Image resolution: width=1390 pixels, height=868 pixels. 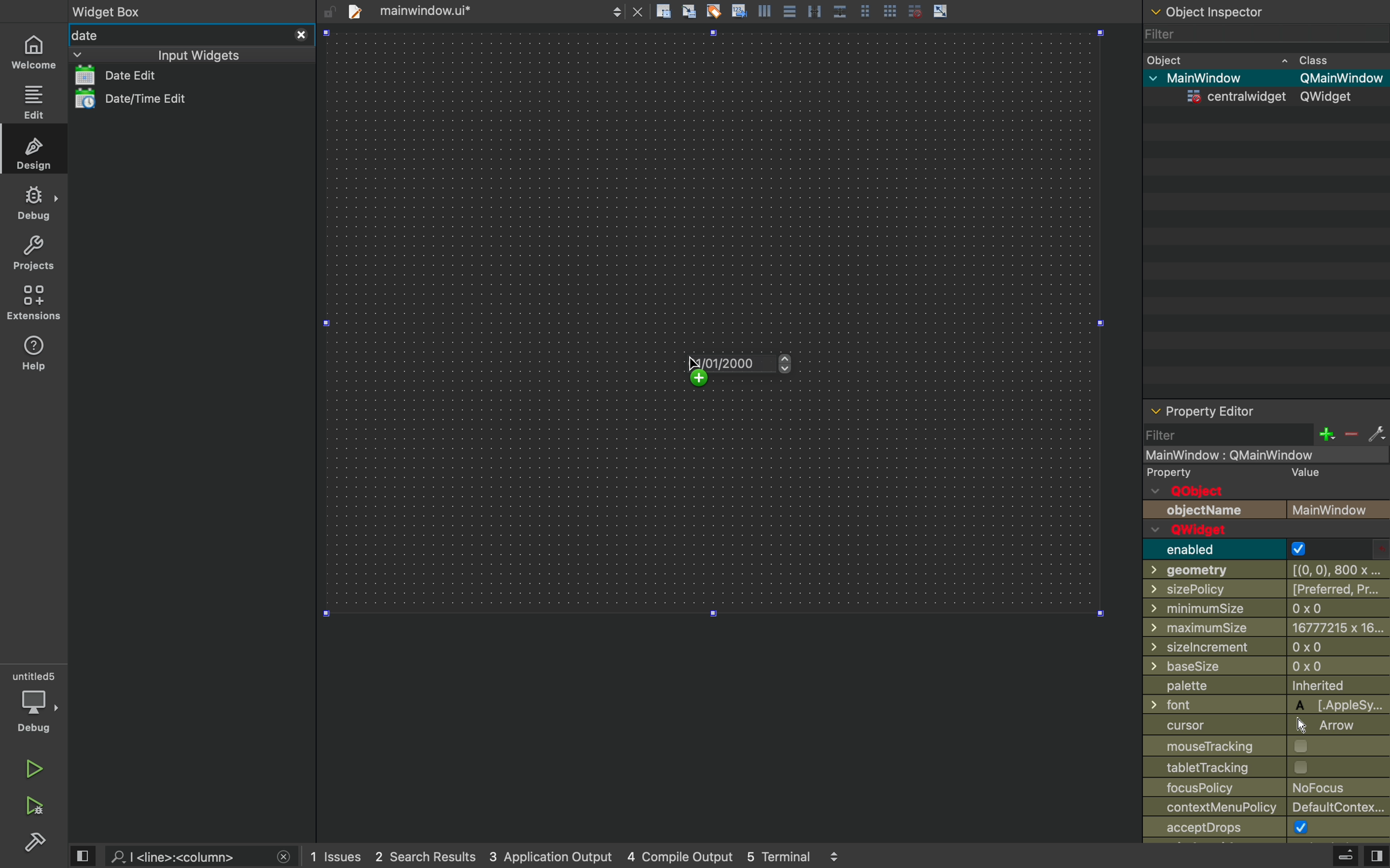 What do you see at coordinates (1351, 433) in the screenshot?
I see `minus` at bounding box center [1351, 433].